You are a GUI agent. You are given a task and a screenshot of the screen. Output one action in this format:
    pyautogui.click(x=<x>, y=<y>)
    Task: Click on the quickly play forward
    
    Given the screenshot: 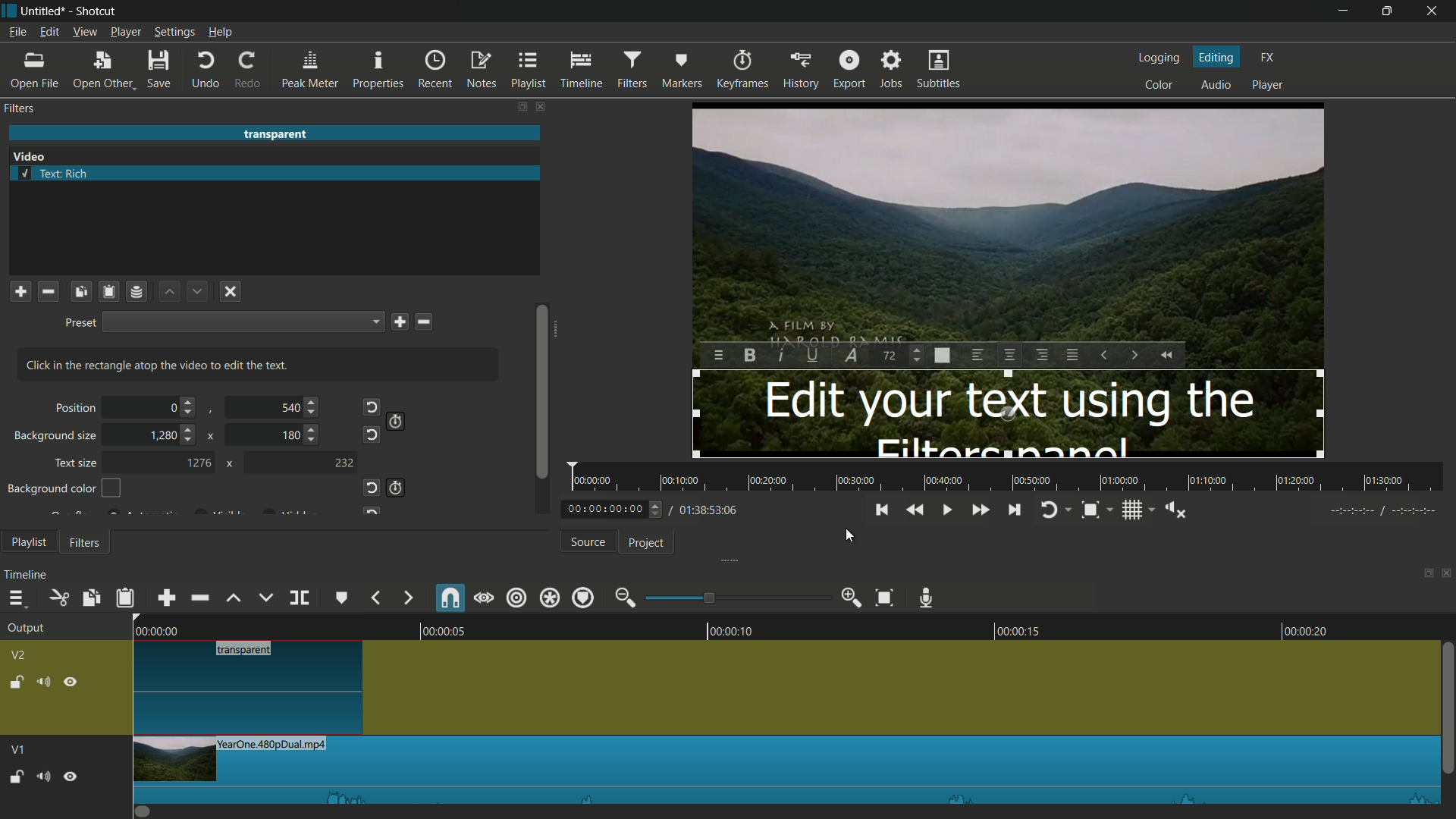 What is the action you would take?
    pyautogui.click(x=977, y=509)
    